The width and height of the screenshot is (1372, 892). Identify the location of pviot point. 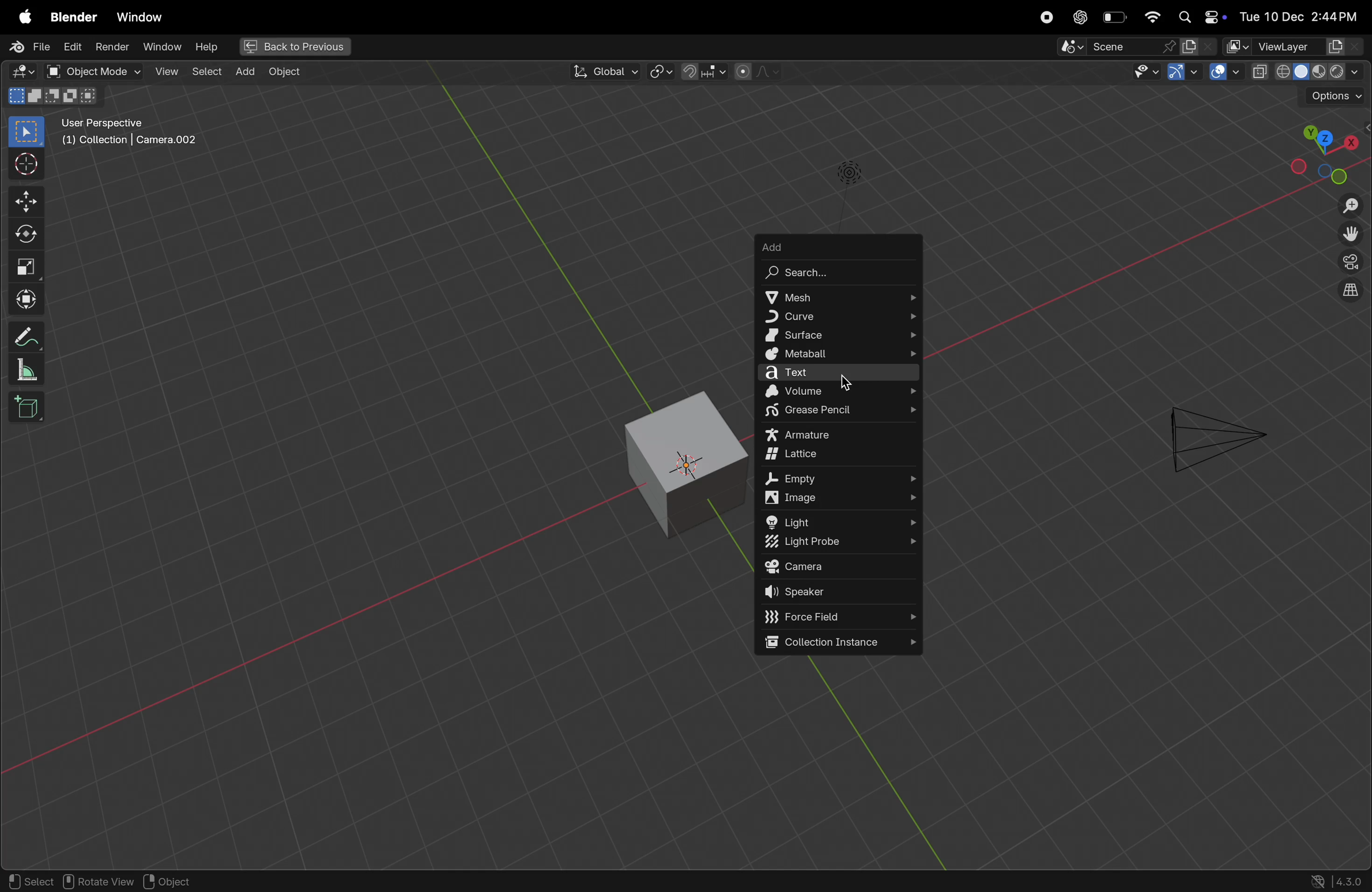
(658, 73).